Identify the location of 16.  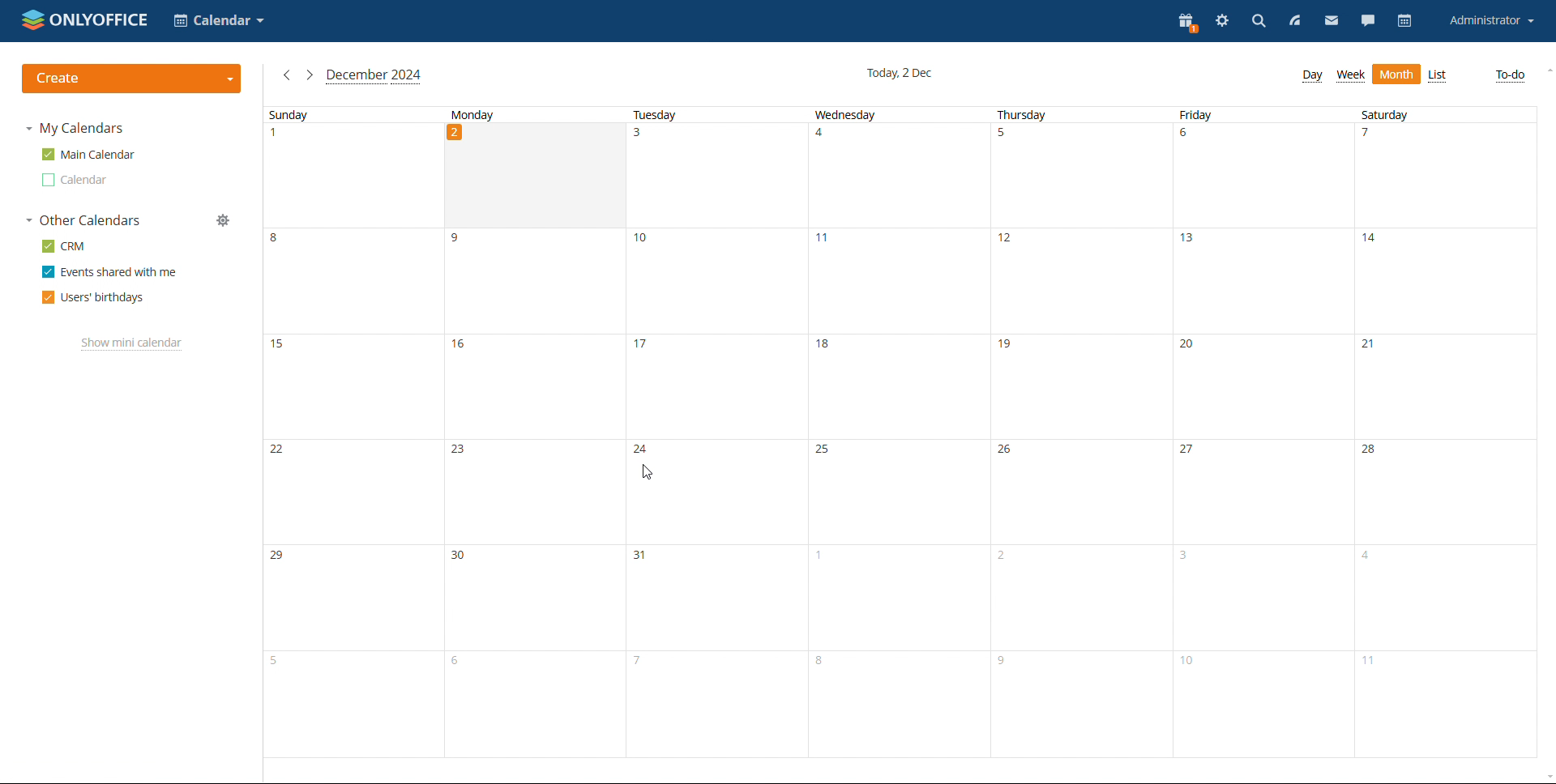
(462, 350).